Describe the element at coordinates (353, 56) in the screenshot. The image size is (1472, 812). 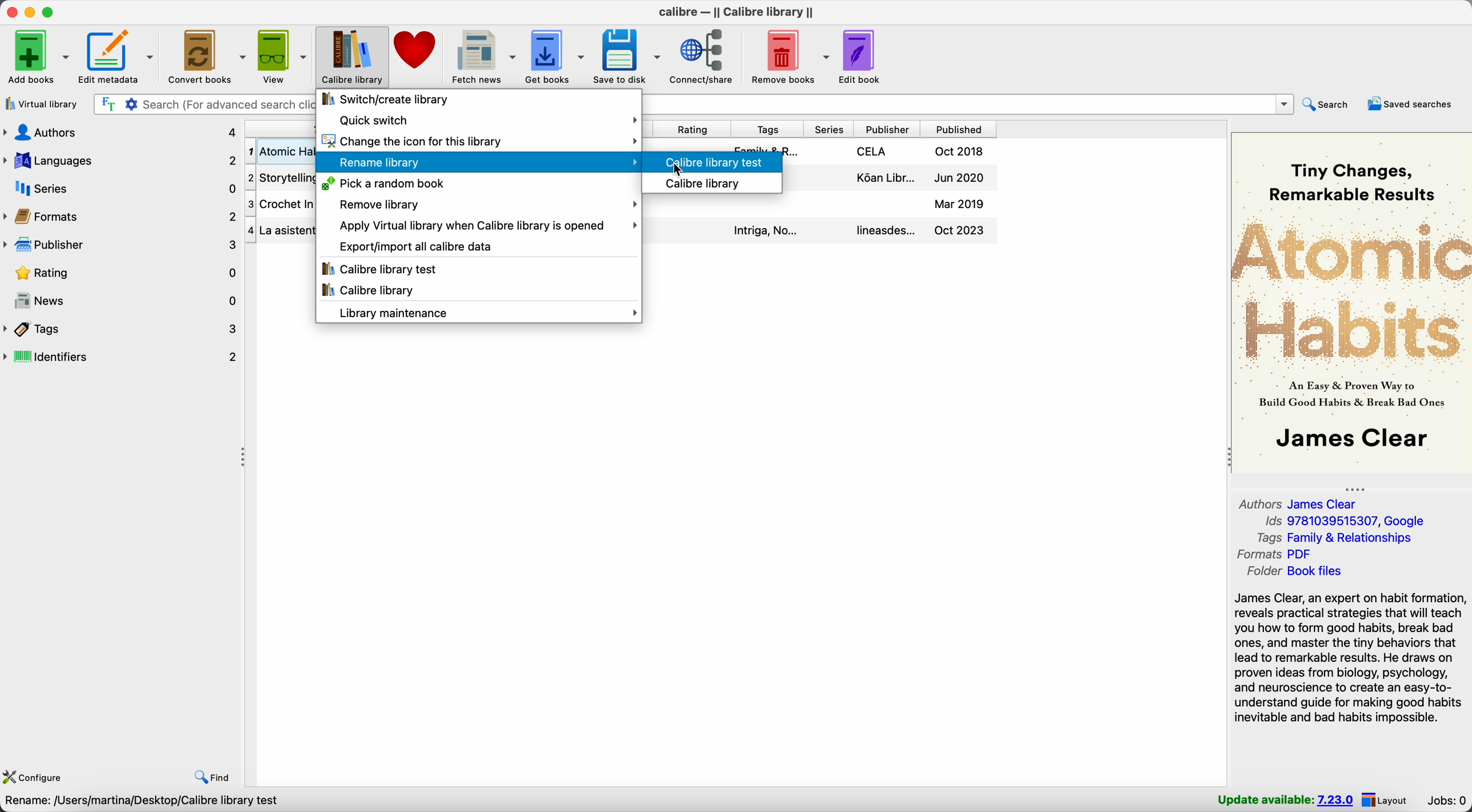
I see `Calibre library` at that location.